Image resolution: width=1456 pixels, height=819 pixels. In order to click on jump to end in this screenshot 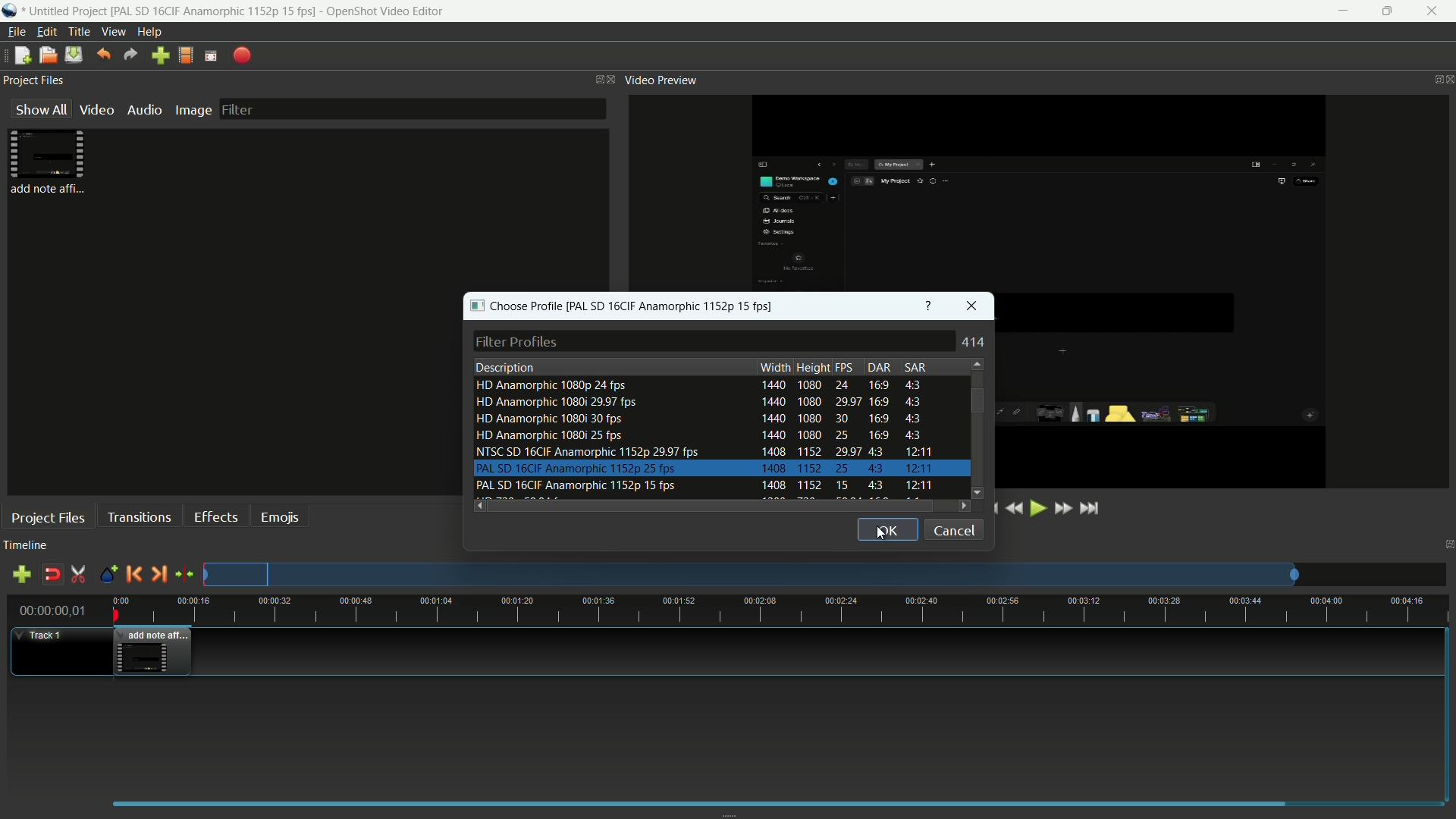, I will do `click(1089, 508)`.